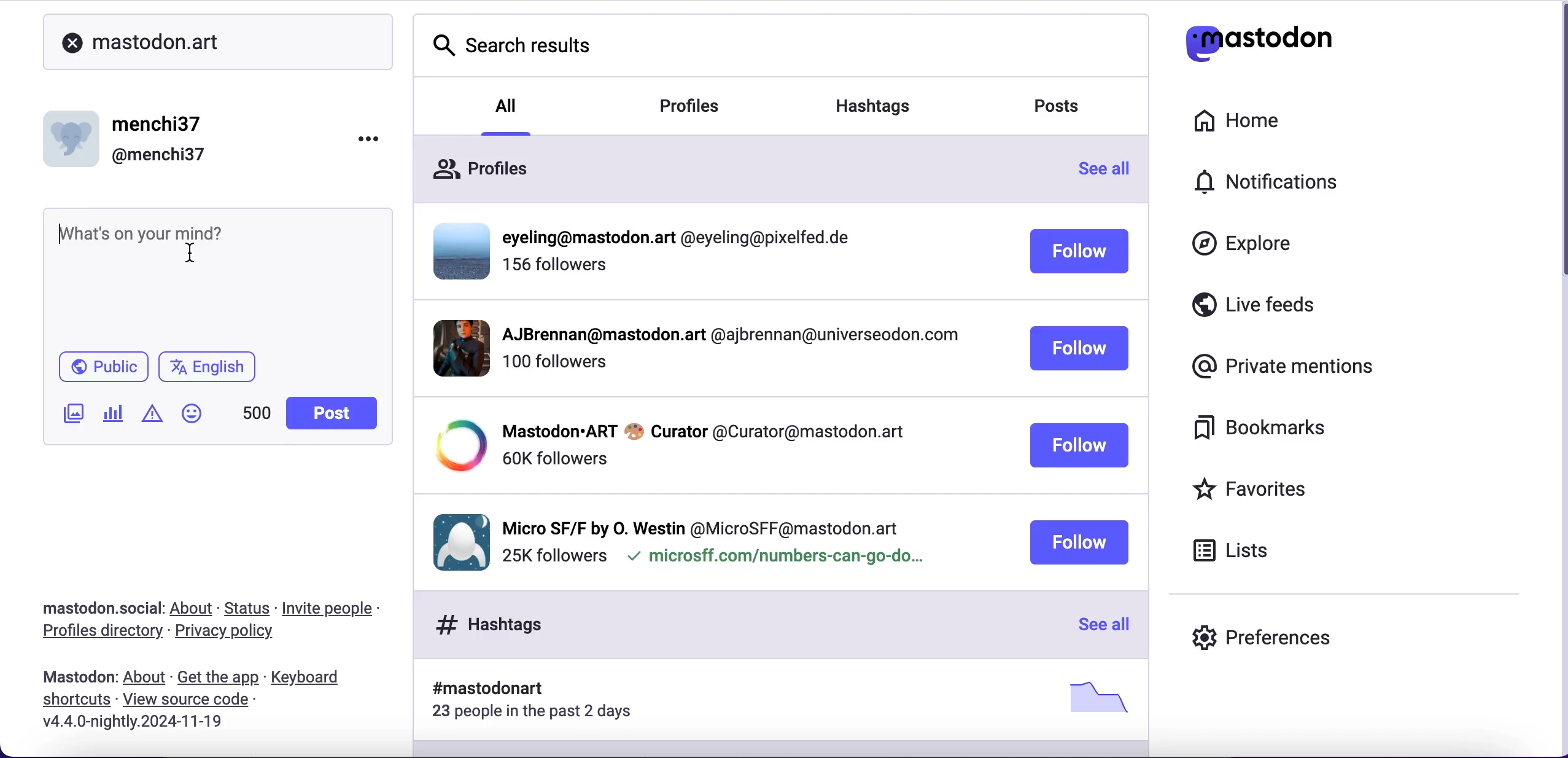 The image size is (1568, 758). Describe the element at coordinates (103, 369) in the screenshot. I see `public` at that location.